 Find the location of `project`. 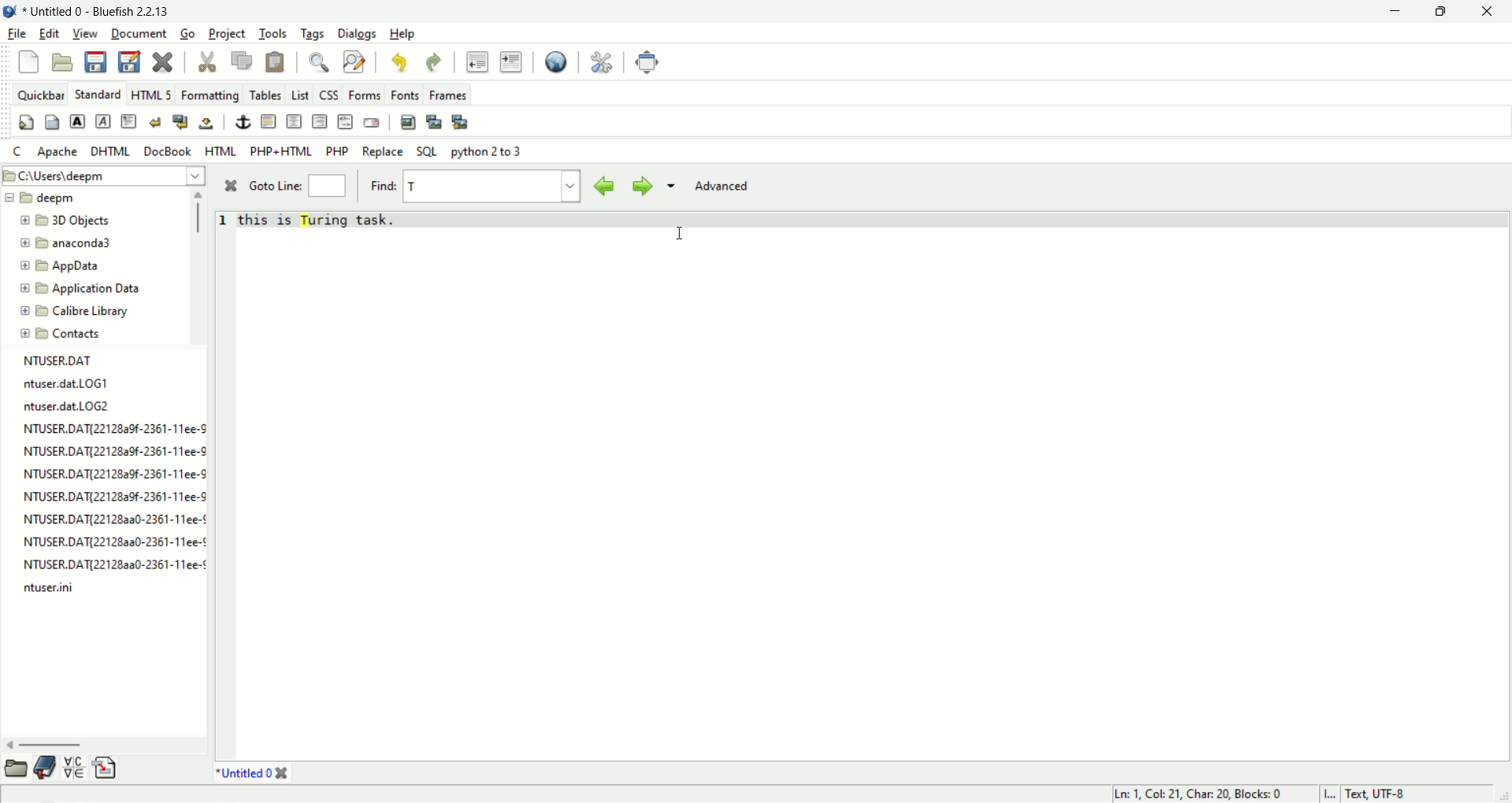

project is located at coordinates (228, 34).